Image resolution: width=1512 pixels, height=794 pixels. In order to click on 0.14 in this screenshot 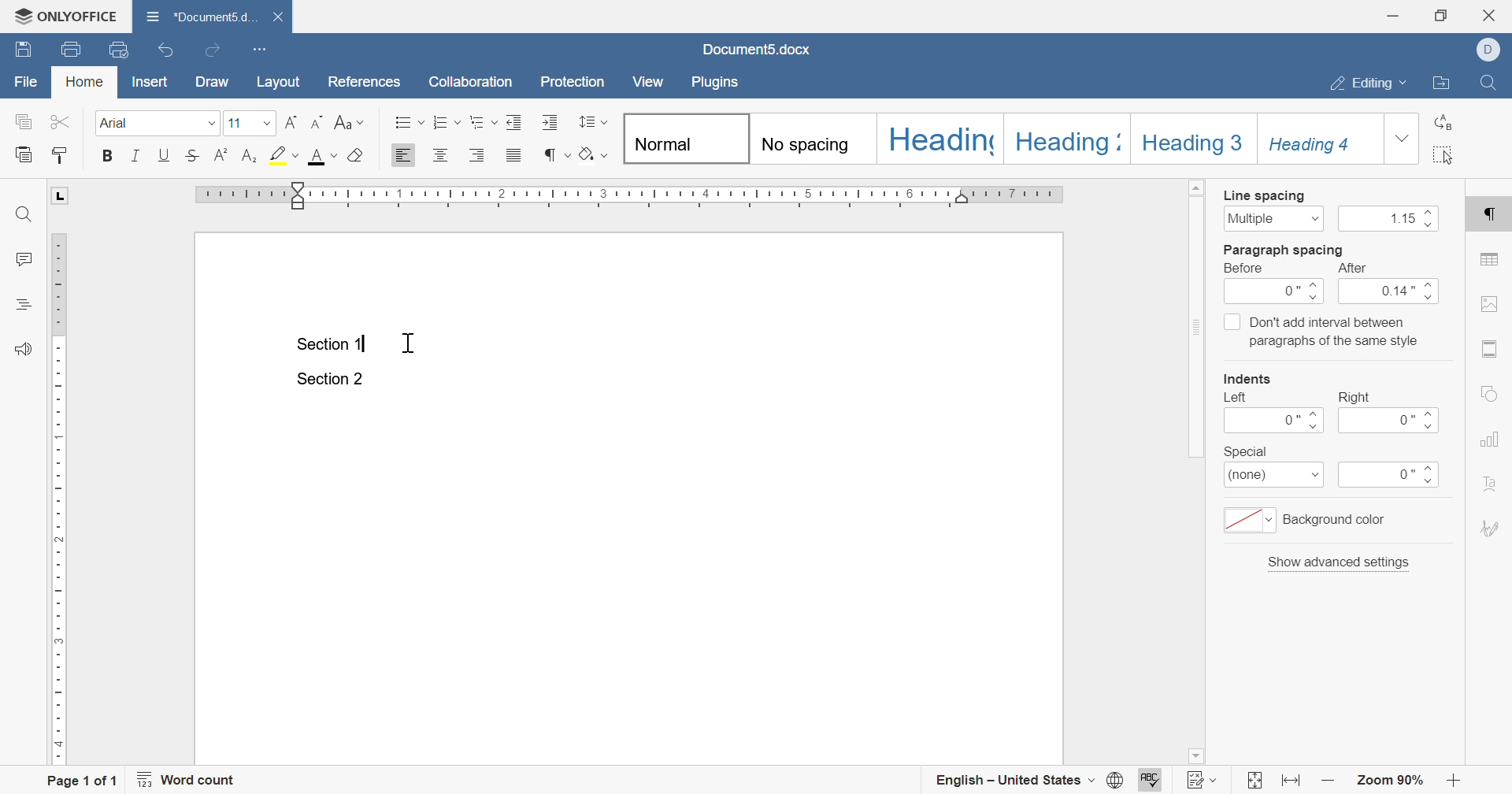, I will do `click(1392, 293)`.